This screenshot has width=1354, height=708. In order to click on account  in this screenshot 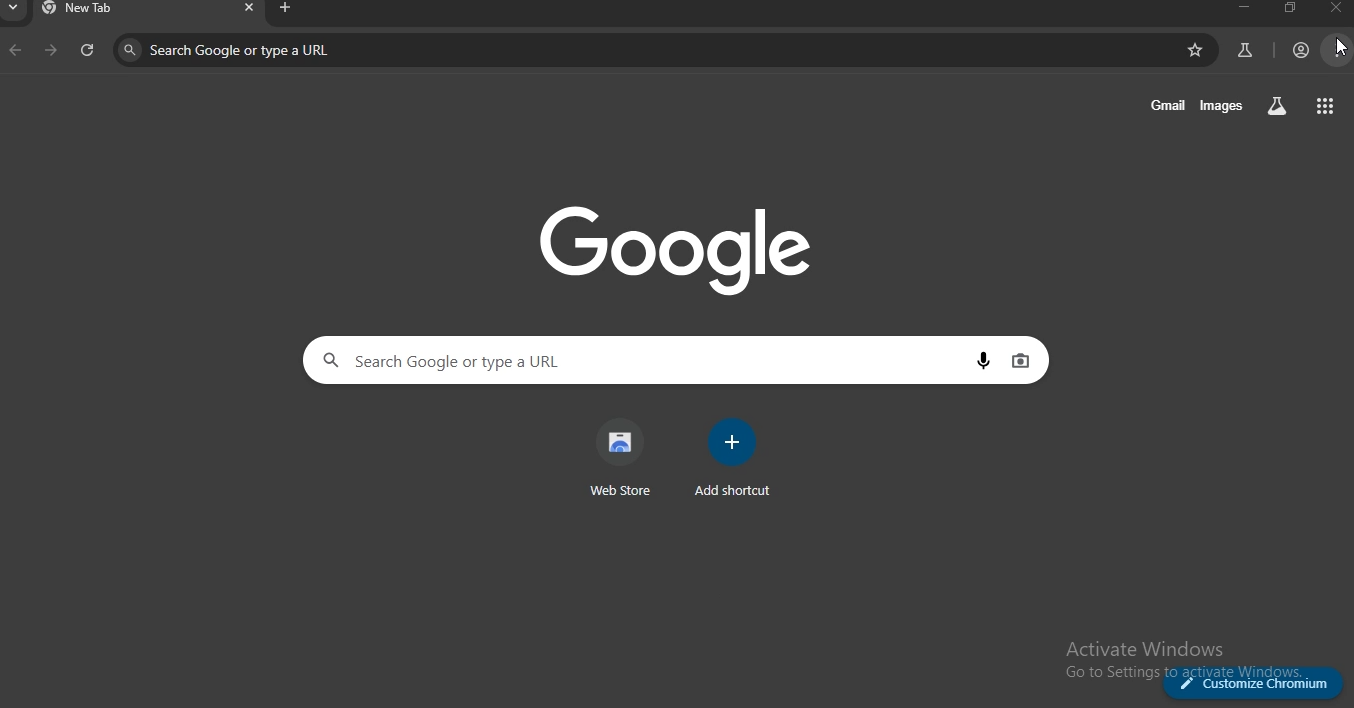, I will do `click(1300, 52)`.